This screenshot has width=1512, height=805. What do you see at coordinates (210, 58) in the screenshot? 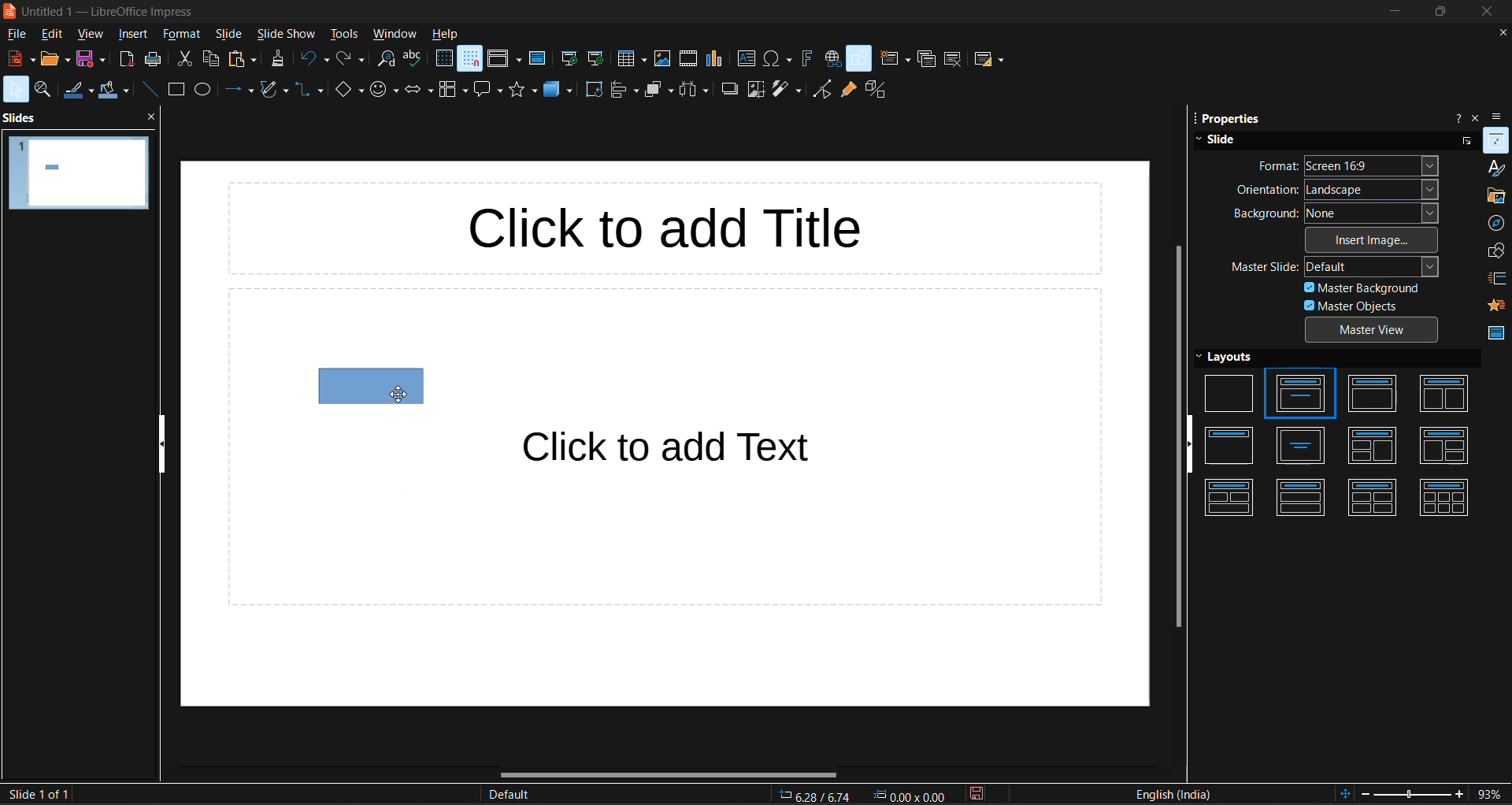
I see `copy` at bounding box center [210, 58].